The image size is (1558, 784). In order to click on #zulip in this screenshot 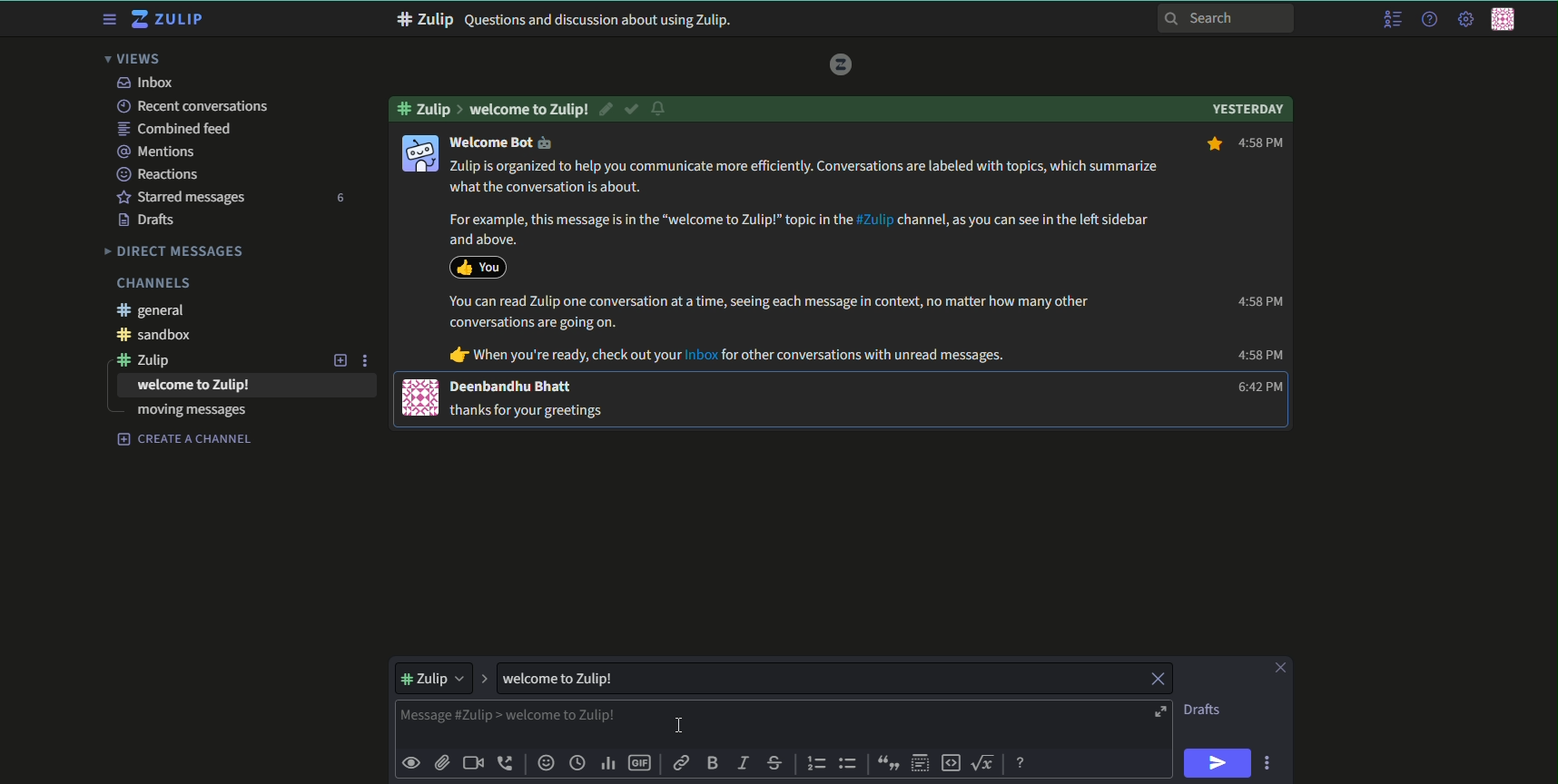, I will do `click(153, 359)`.